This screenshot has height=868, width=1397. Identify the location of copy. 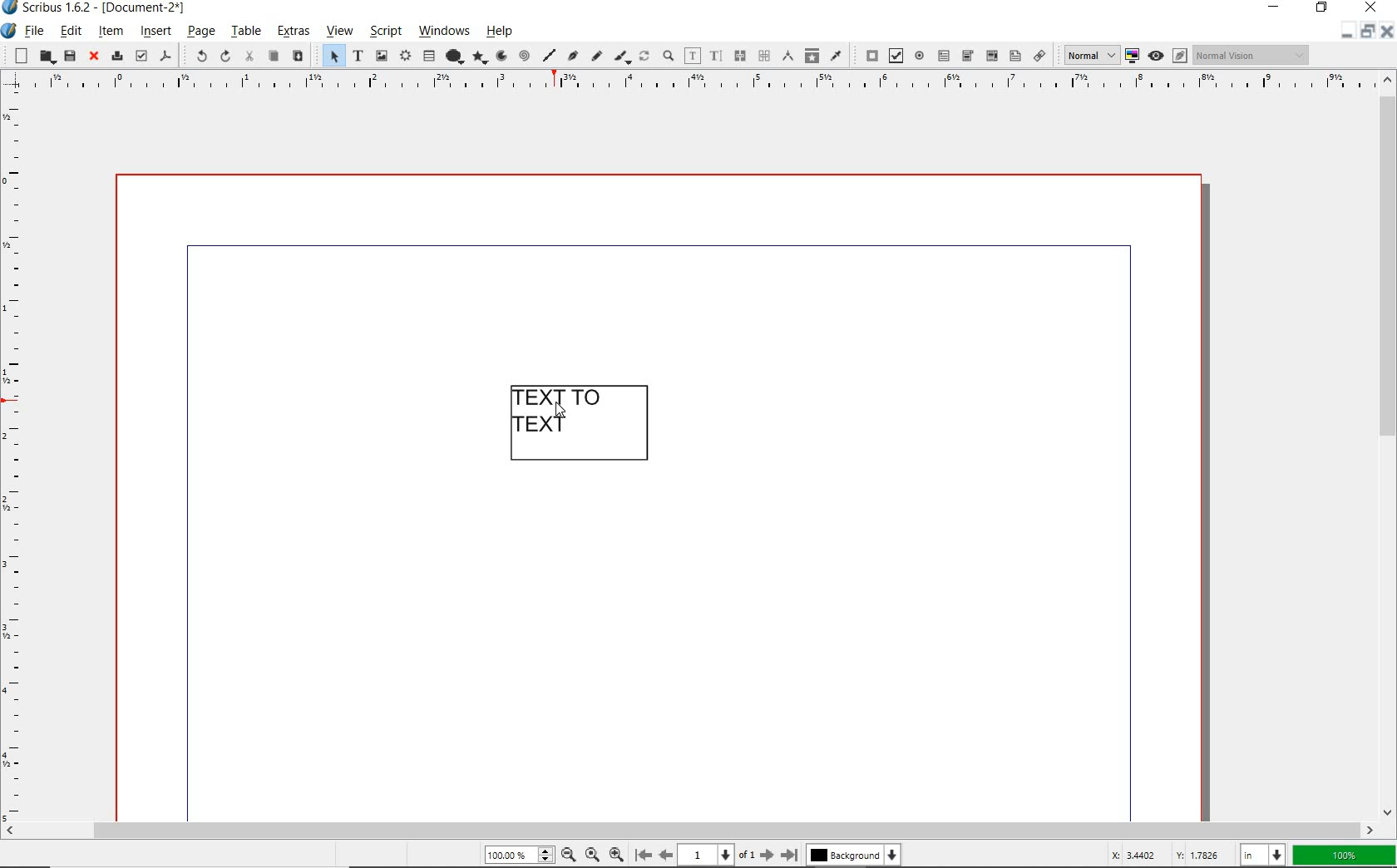
(274, 57).